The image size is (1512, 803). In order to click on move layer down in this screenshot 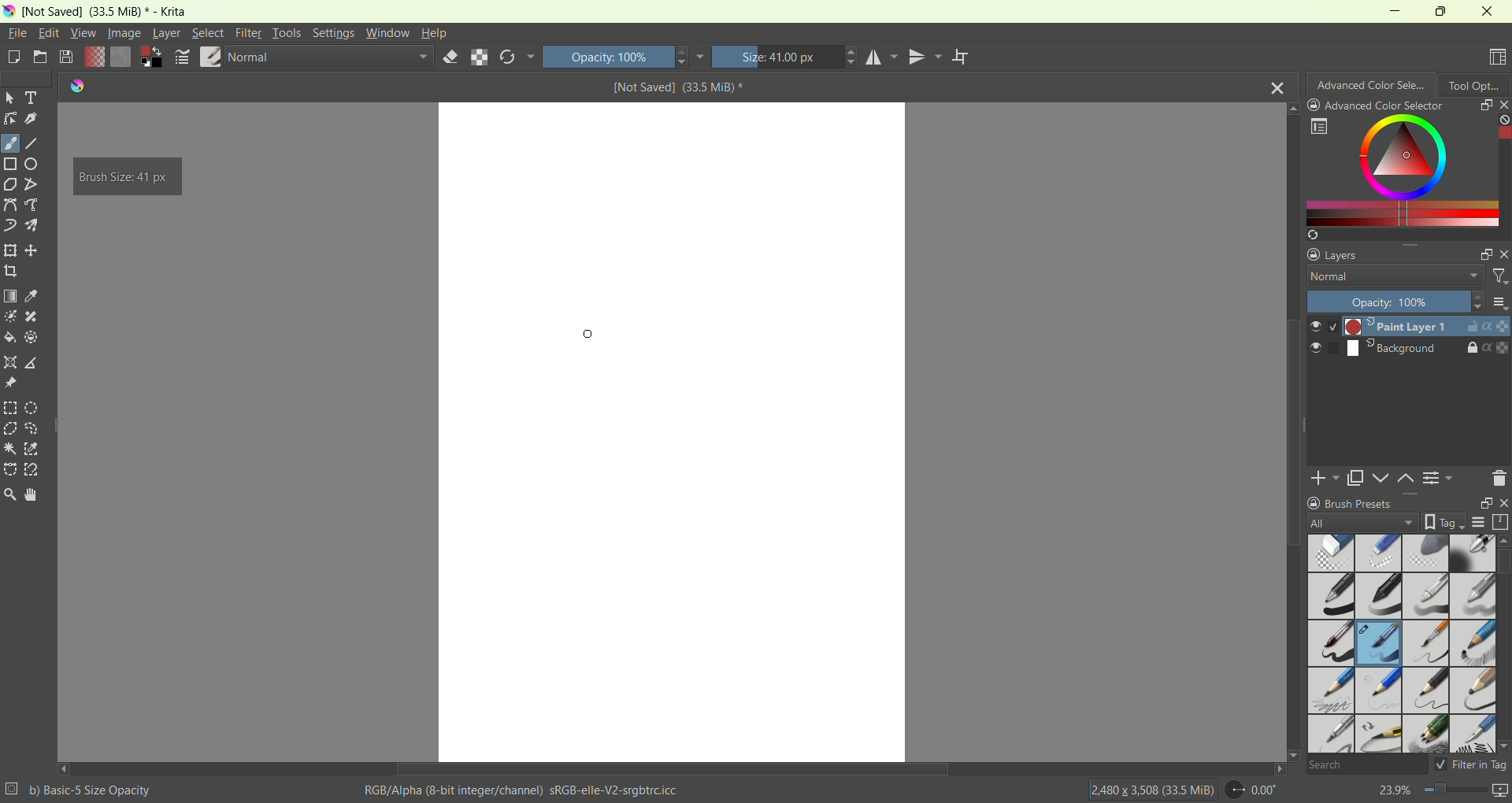, I will do `click(1382, 478)`.